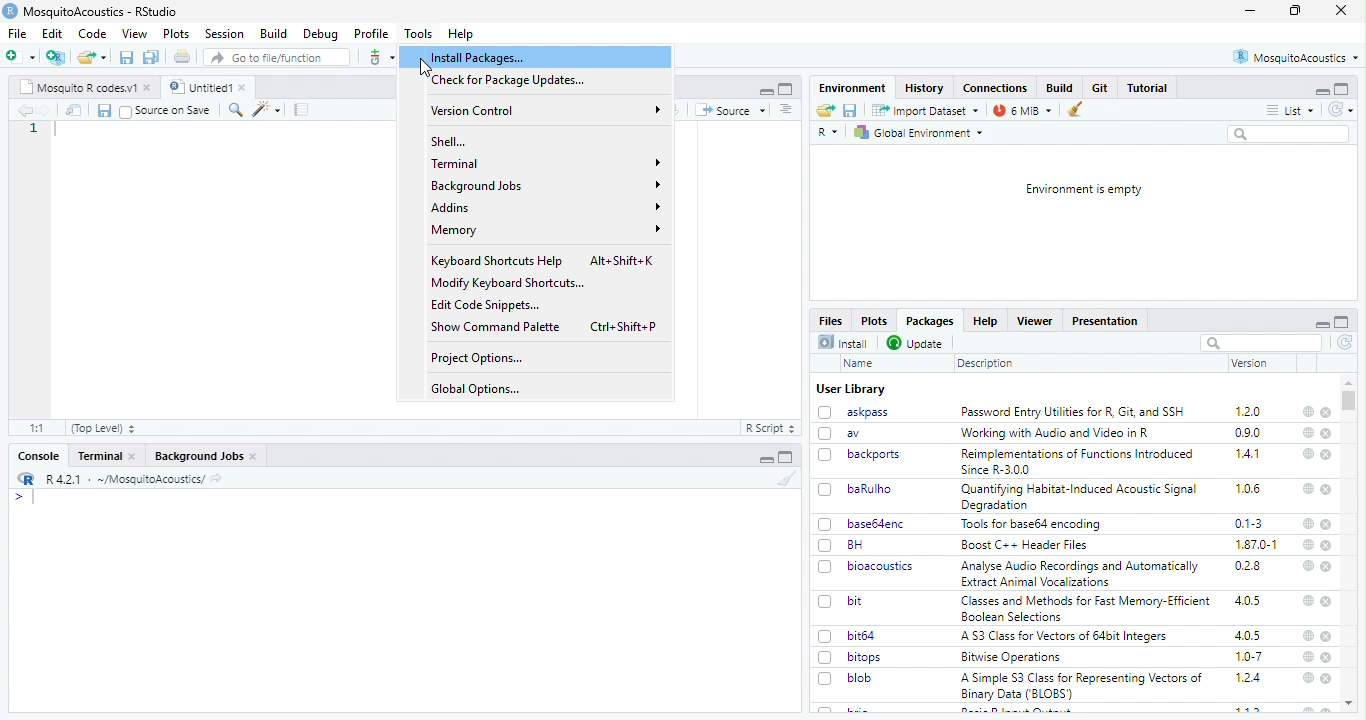 This screenshot has width=1366, height=720. I want to click on checkbox, so click(826, 658).